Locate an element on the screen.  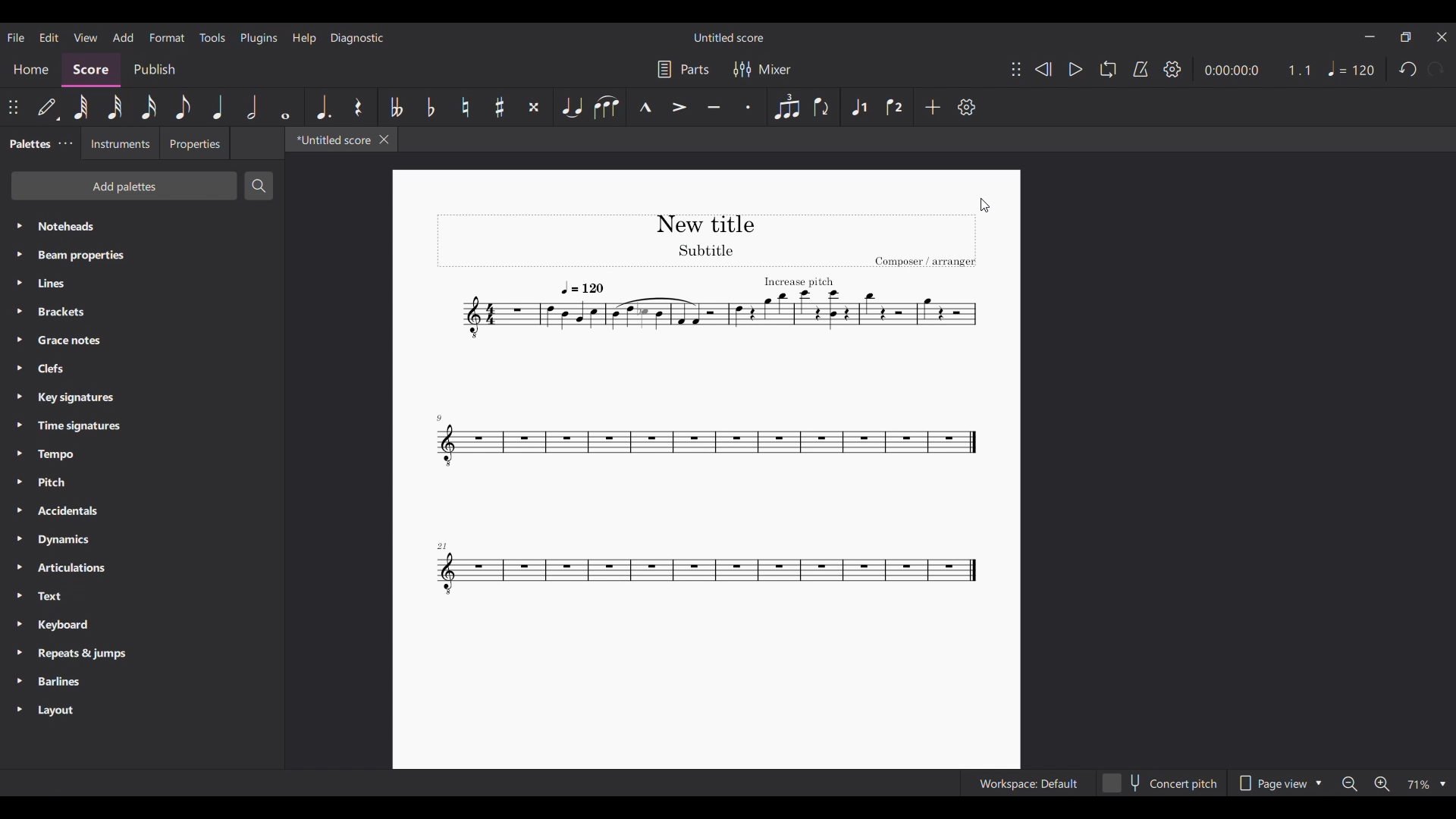
Whole note is located at coordinates (285, 107).